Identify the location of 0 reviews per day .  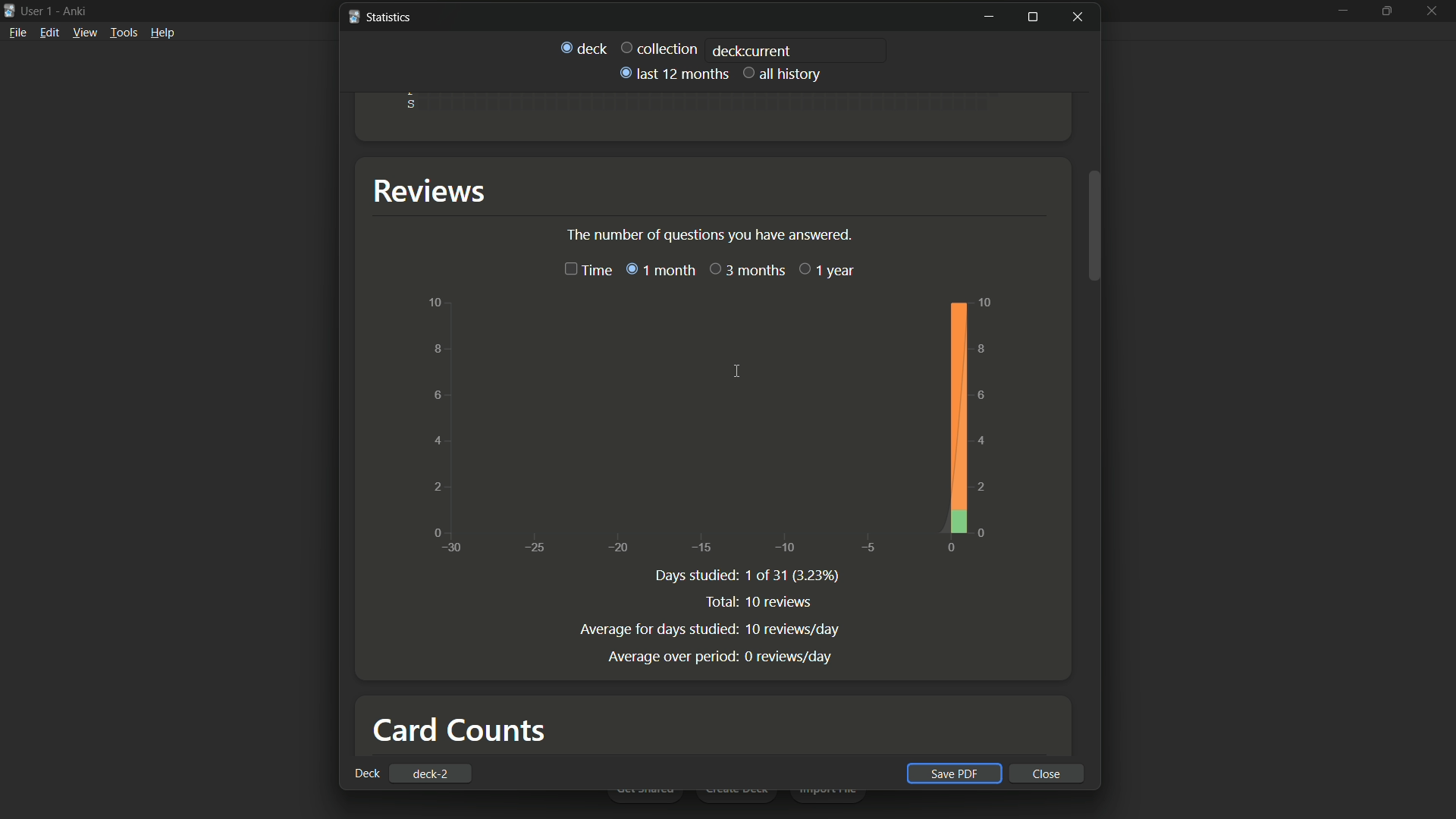
(787, 656).